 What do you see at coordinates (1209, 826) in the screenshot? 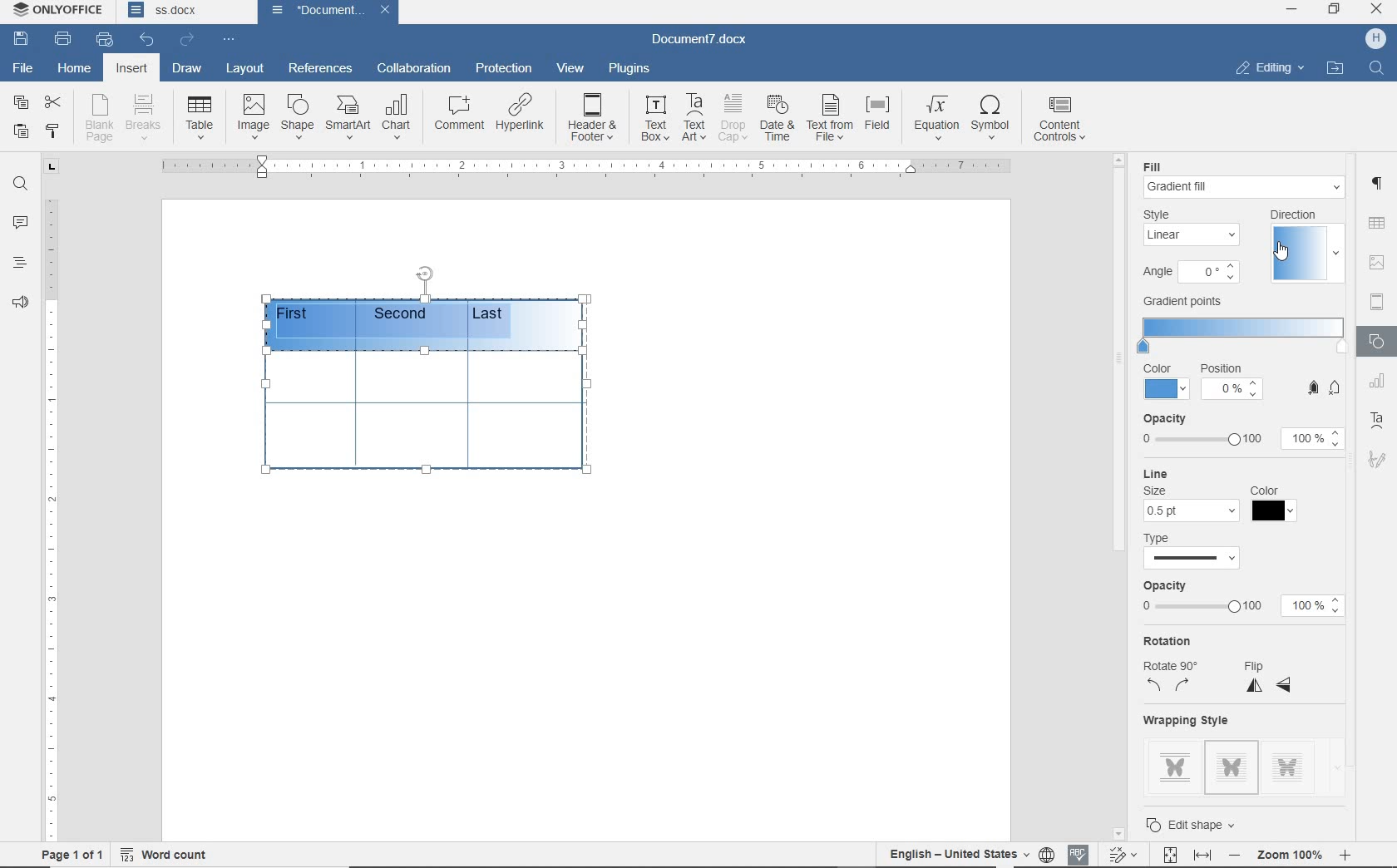
I see `edit shape` at bounding box center [1209, 826].